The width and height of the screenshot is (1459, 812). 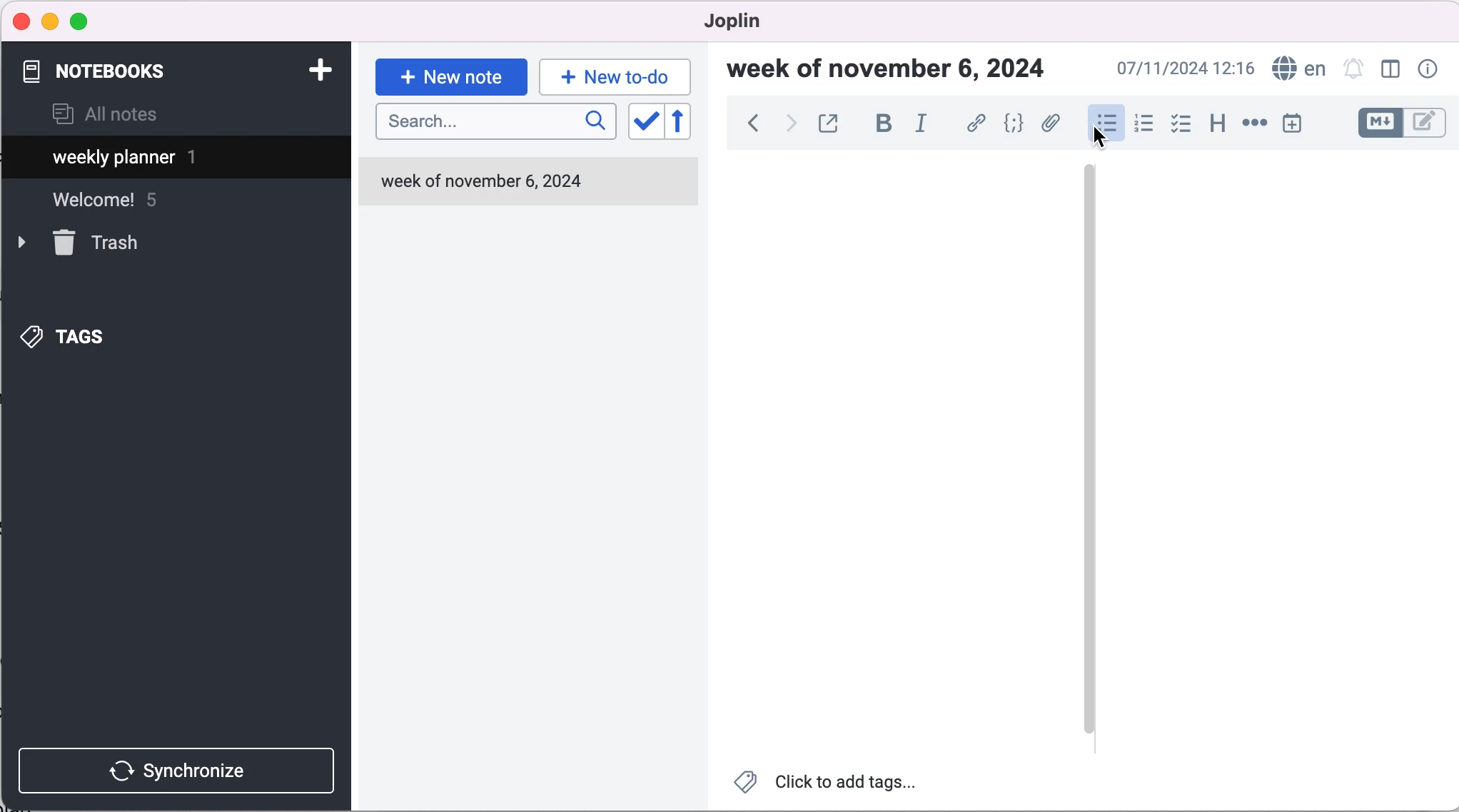 I want to click on checkbox, so click(x=1181, y=124).